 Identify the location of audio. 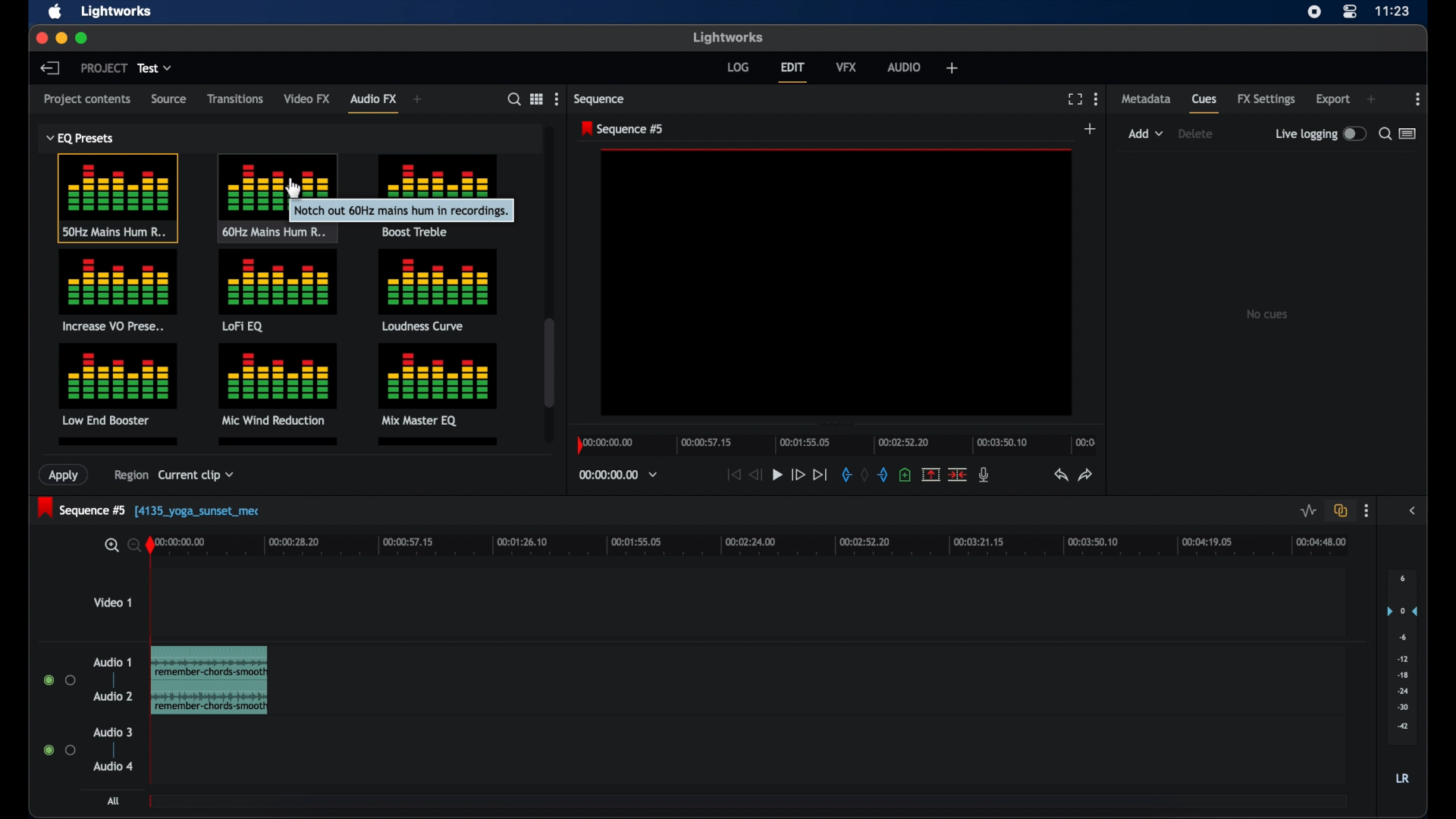
(905, 66).